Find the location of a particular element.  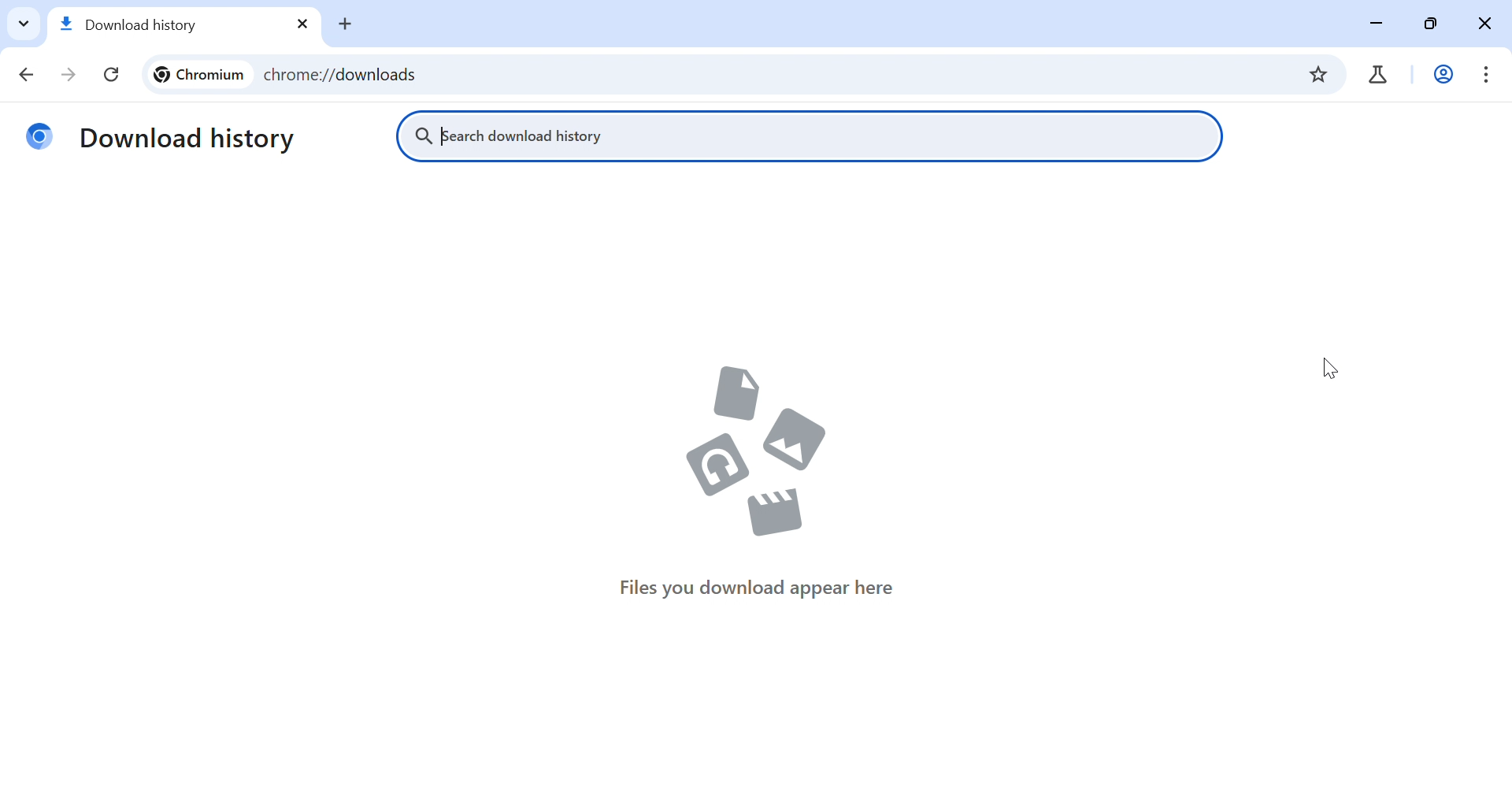

New tab is located at coordinates (347, 25).